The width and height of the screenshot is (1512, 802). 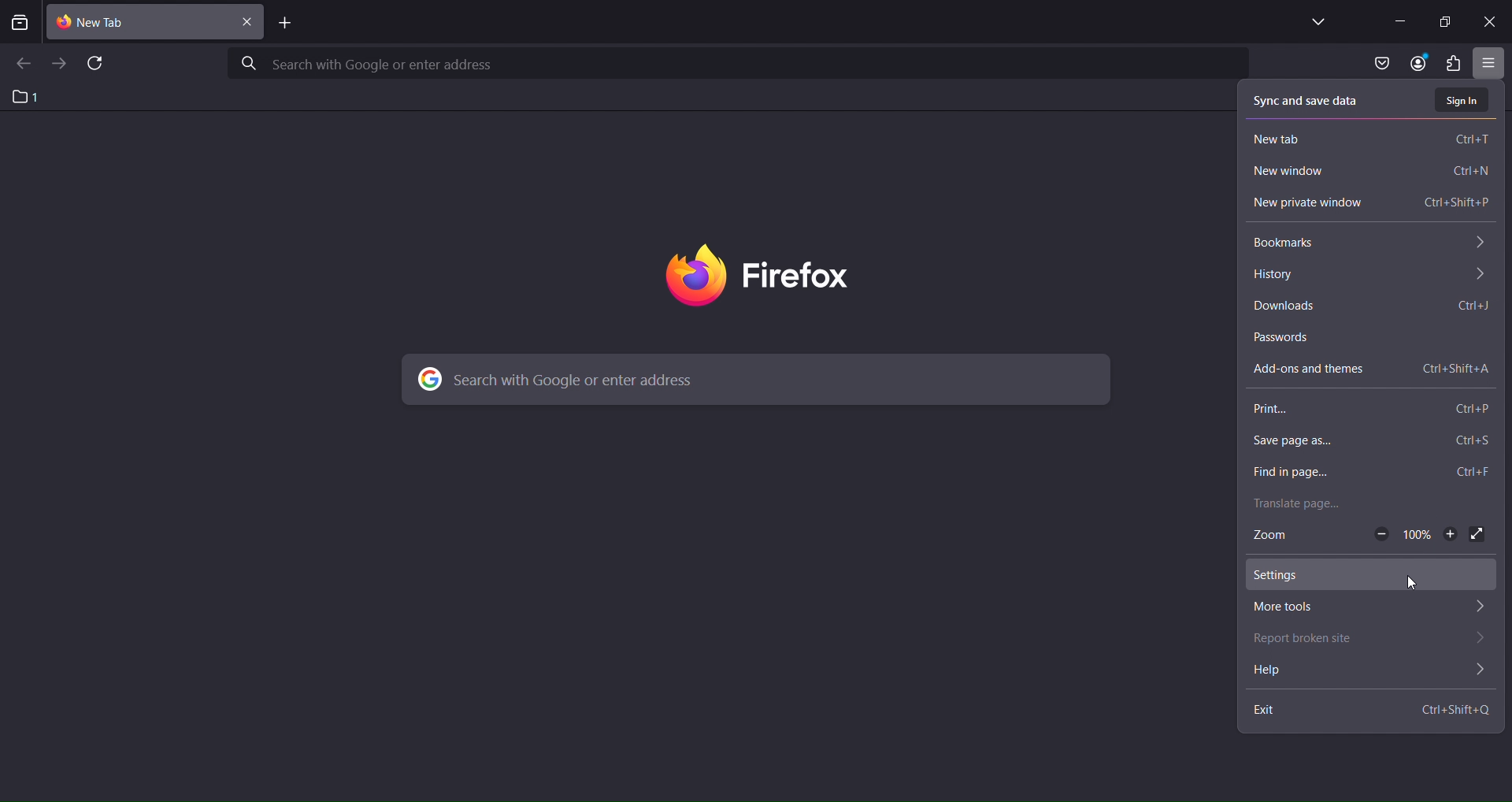 What do you see at coordinates (1372, 172) in the screenshot?
I see `new window` at bounding box center [1372, 172].